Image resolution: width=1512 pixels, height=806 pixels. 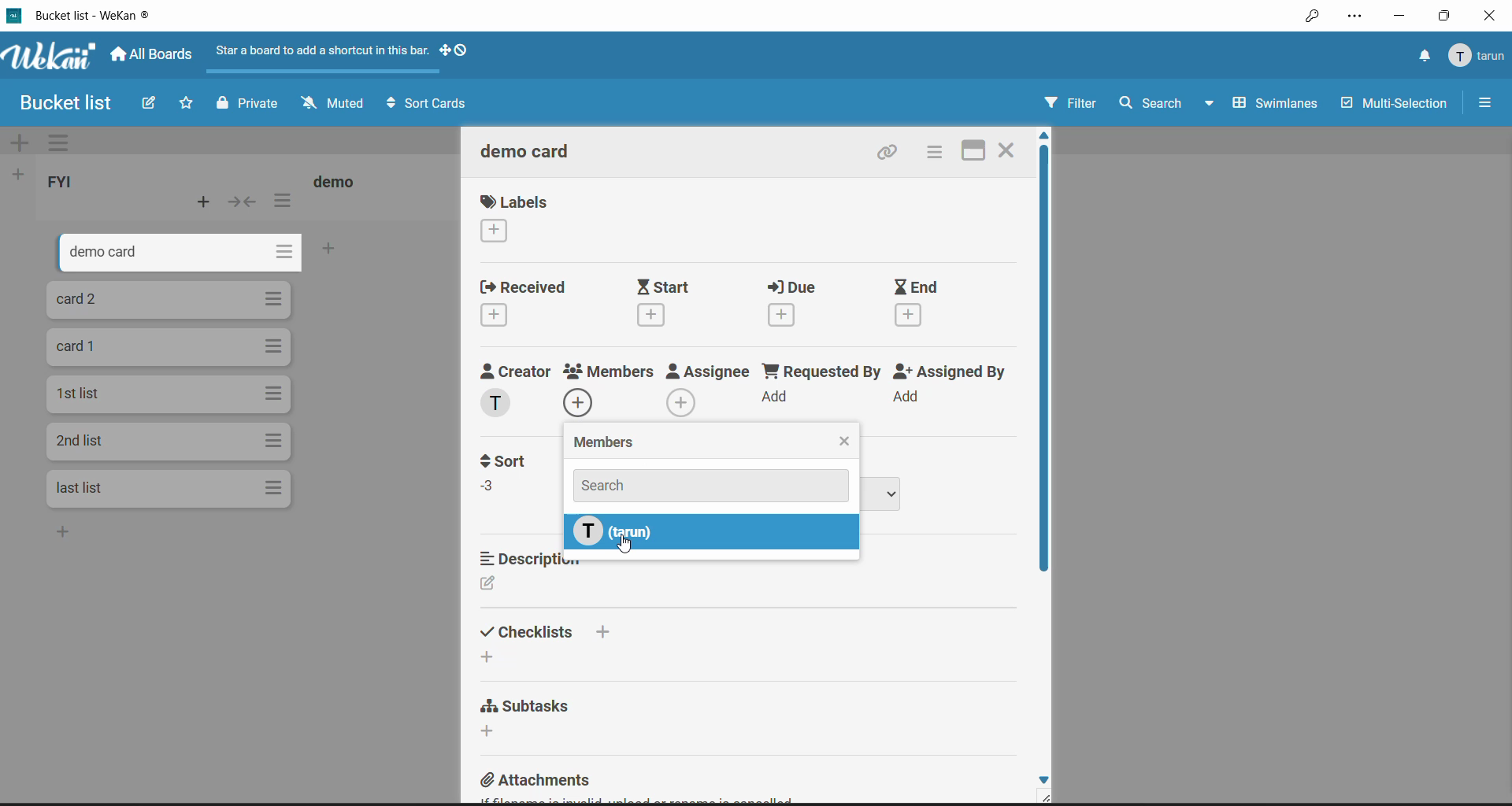 I want to click on assigned by, so click(x=950, y=371).